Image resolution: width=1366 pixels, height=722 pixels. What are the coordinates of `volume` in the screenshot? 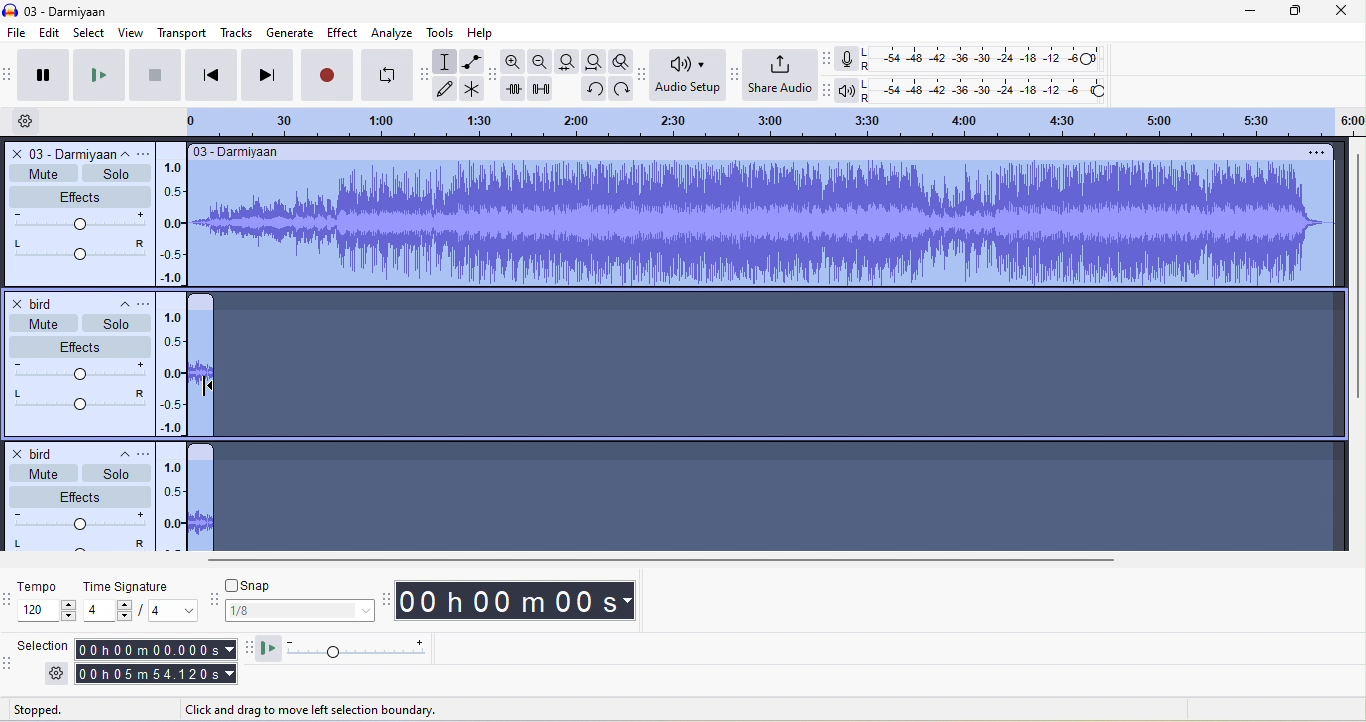 It's located at (78, 519).